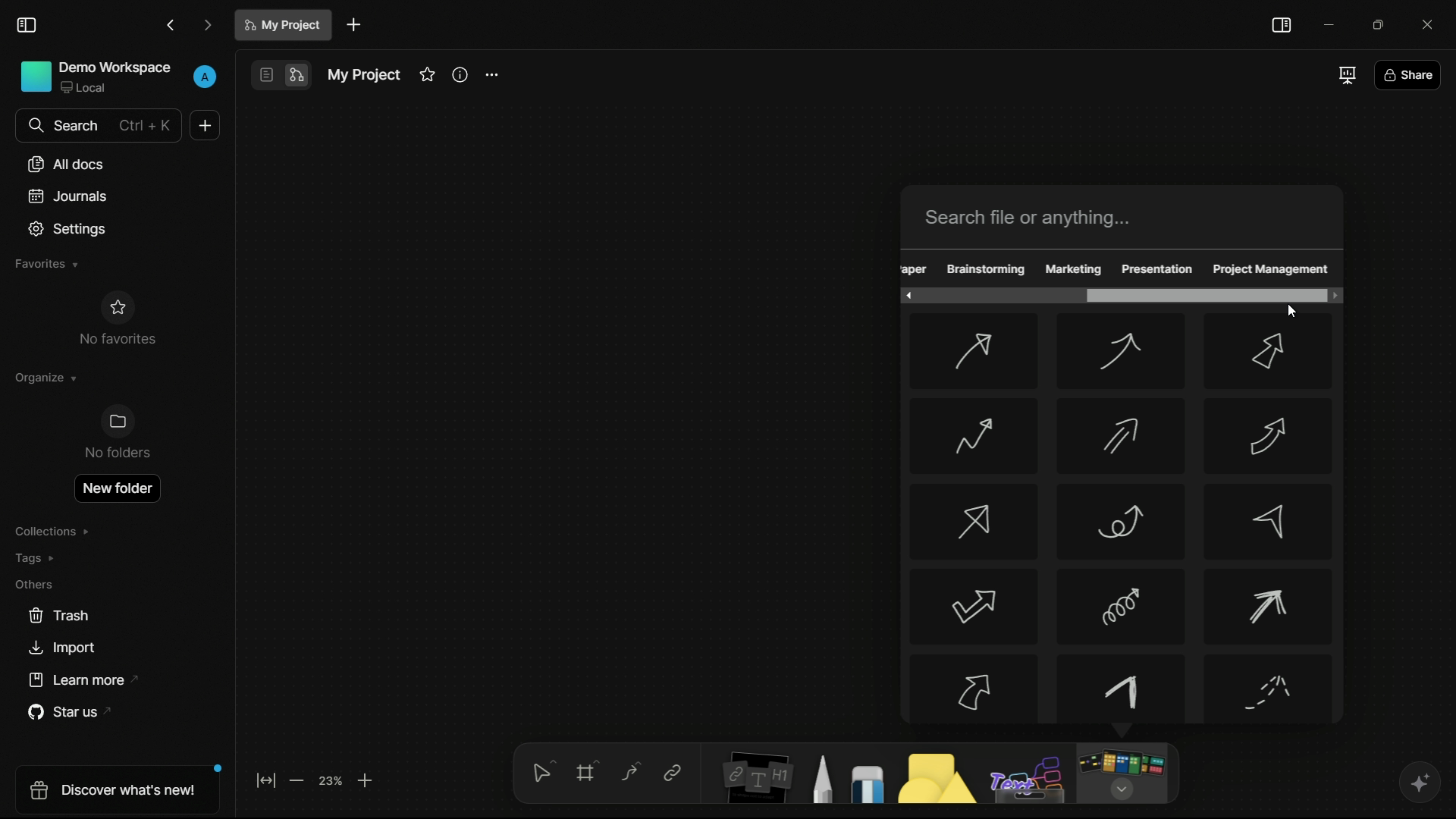 The width and height of the screenshot is (1456, 819). What do you see at coordinates (1119, 522) in the screenshot?
I see `arrow-8` at bounding box center [1119, 522].